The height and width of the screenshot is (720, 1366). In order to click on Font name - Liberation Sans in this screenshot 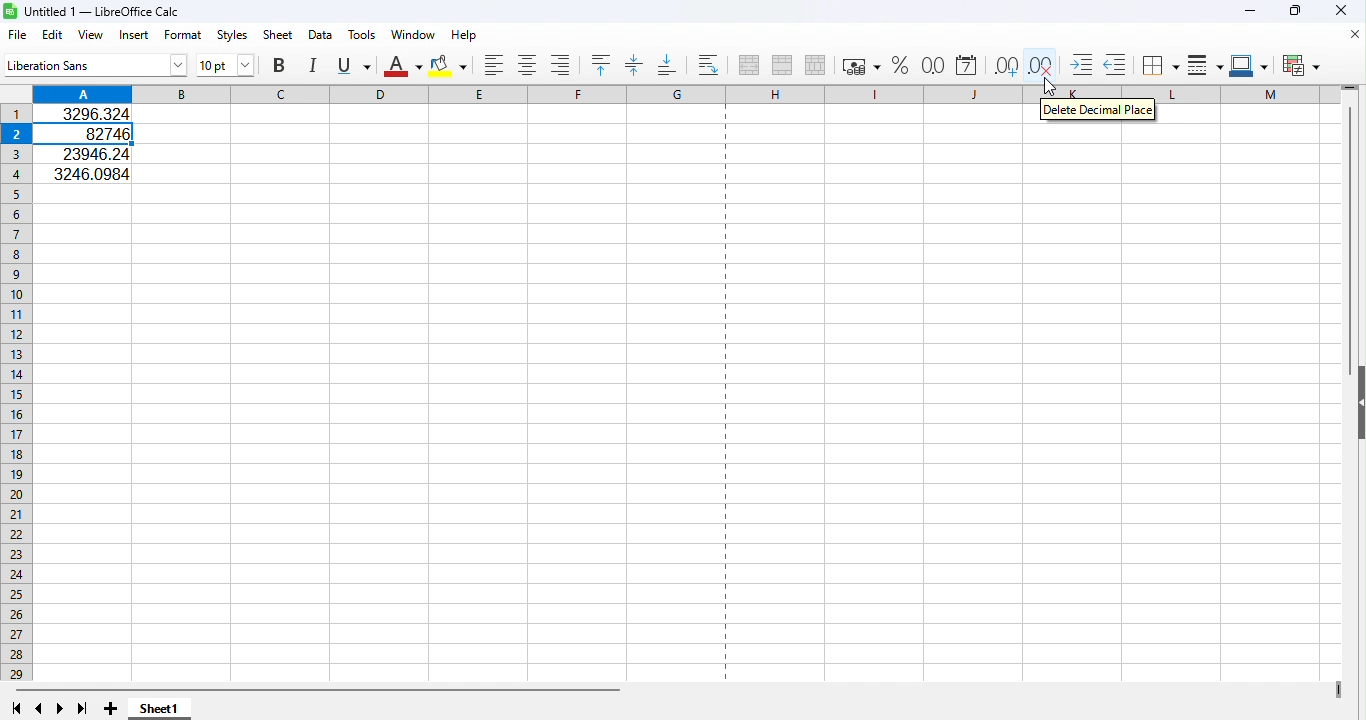, I will do `click(95, 65)`.